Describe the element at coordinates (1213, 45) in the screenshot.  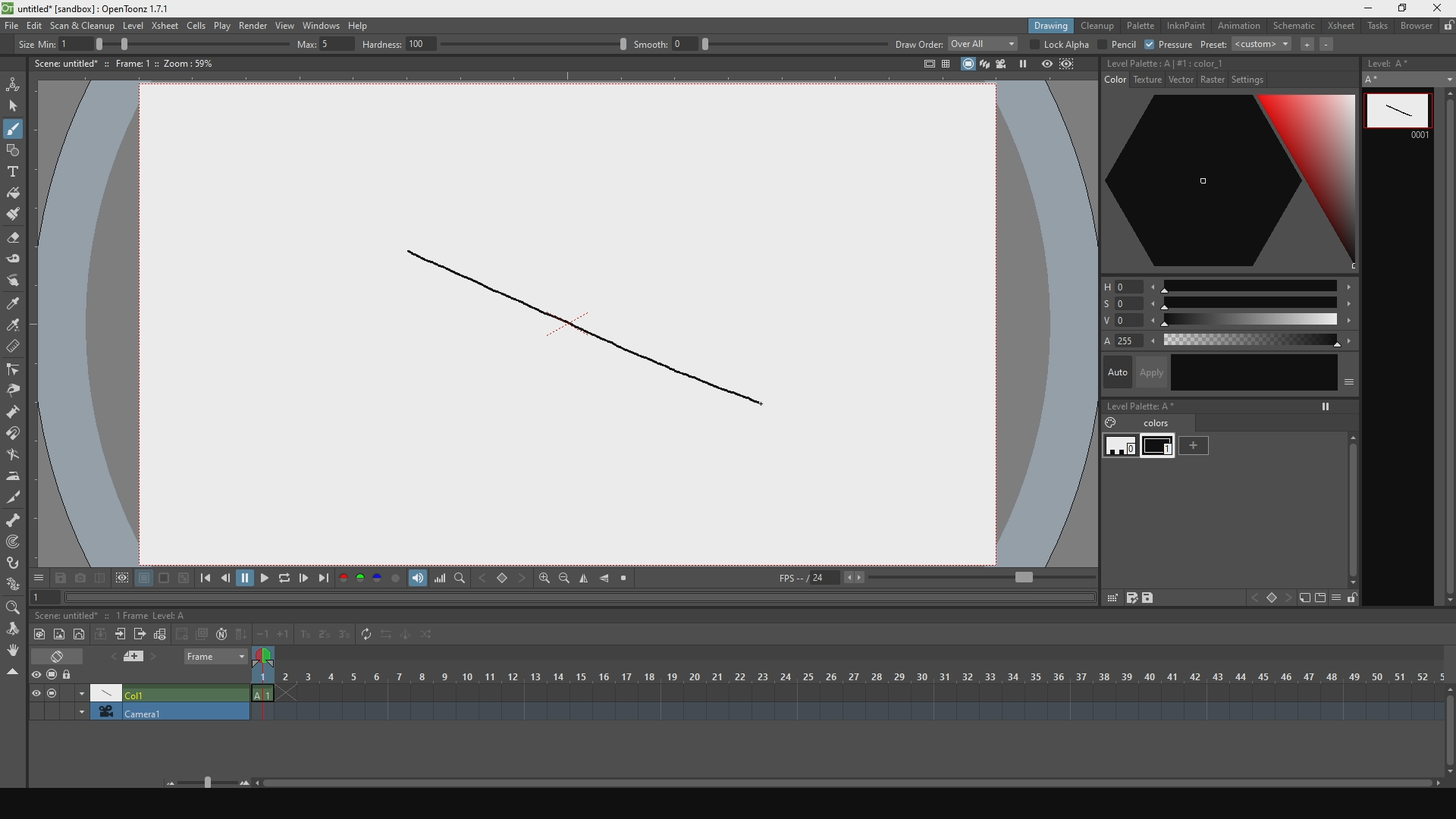
I see `preset` at that location.